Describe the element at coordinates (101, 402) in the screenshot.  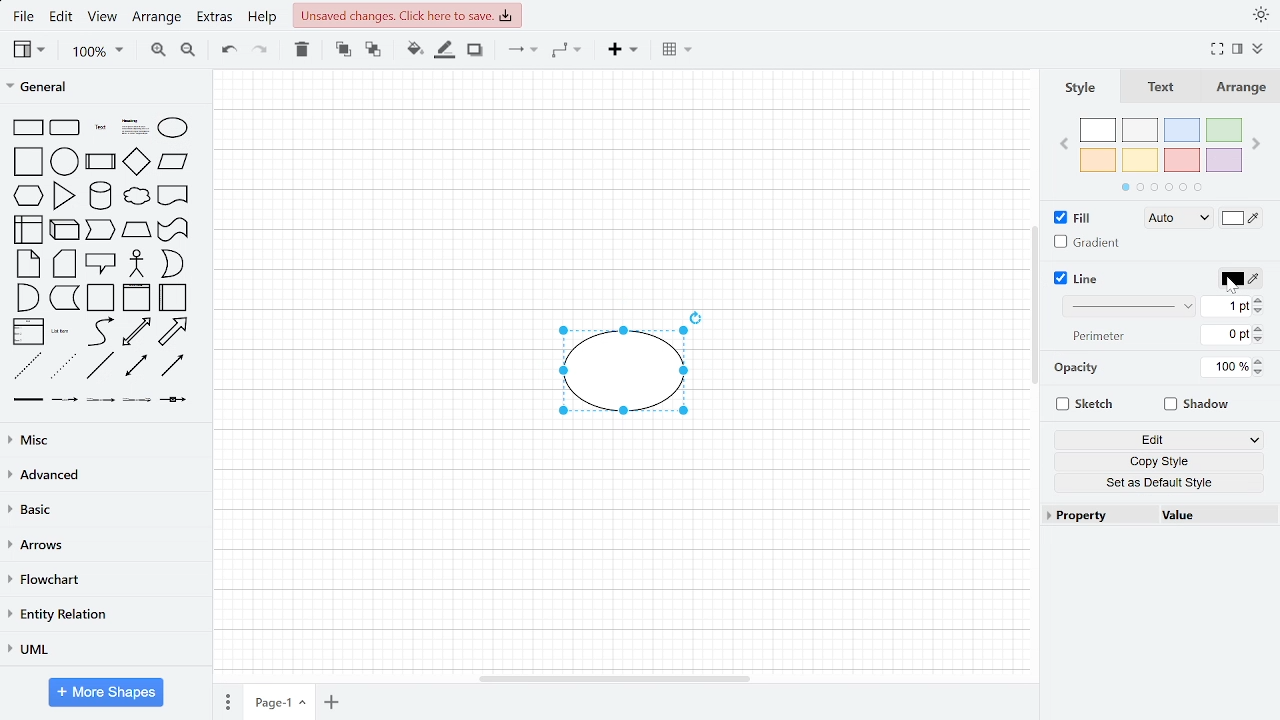
I see `connector with 2 label` at that location.